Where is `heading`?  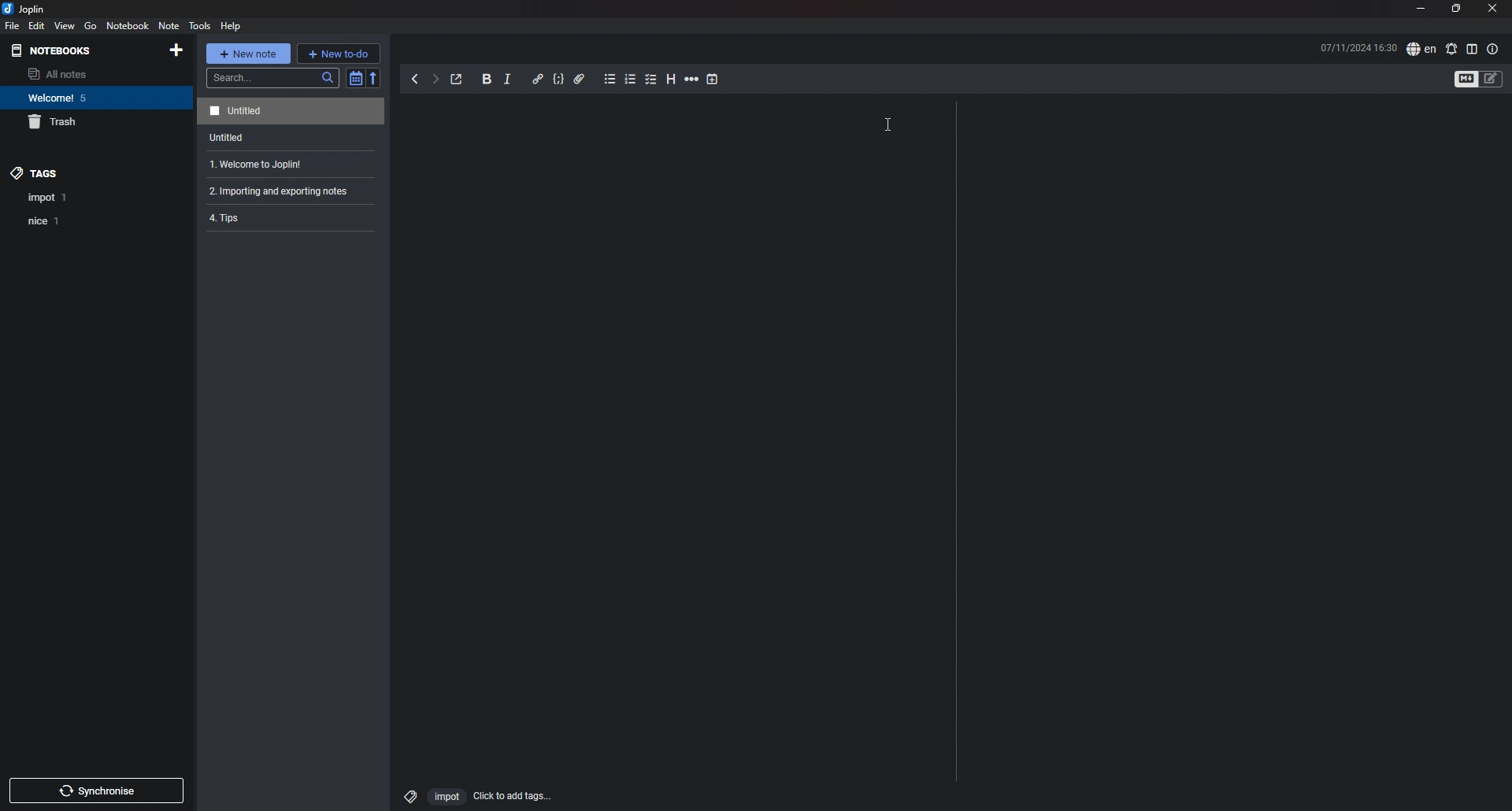 heading is located at coordinates (669, 79).